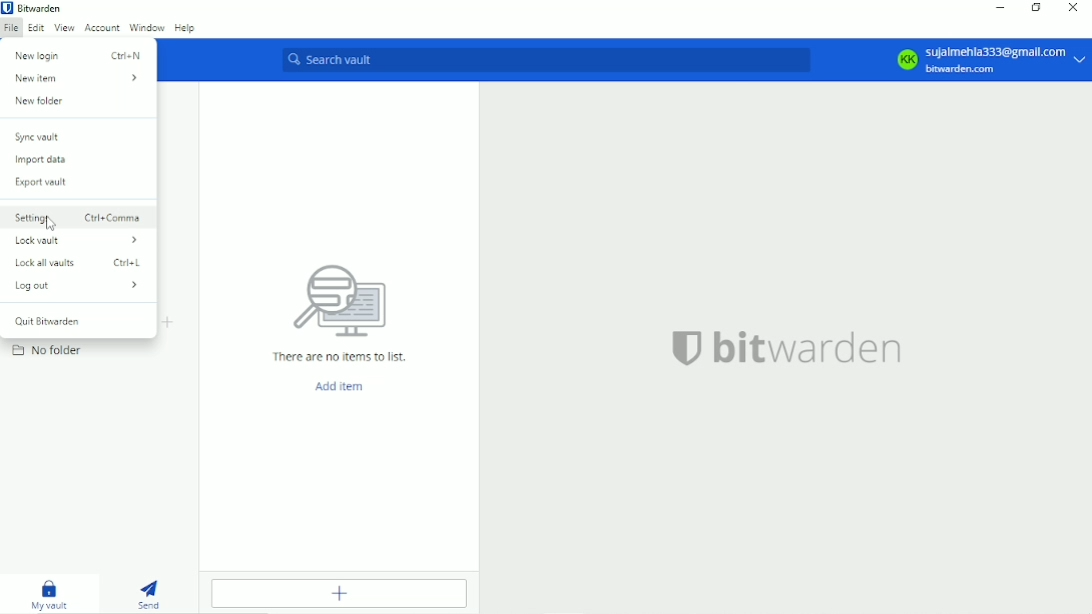  I want to click on New item , so click(78, 79).